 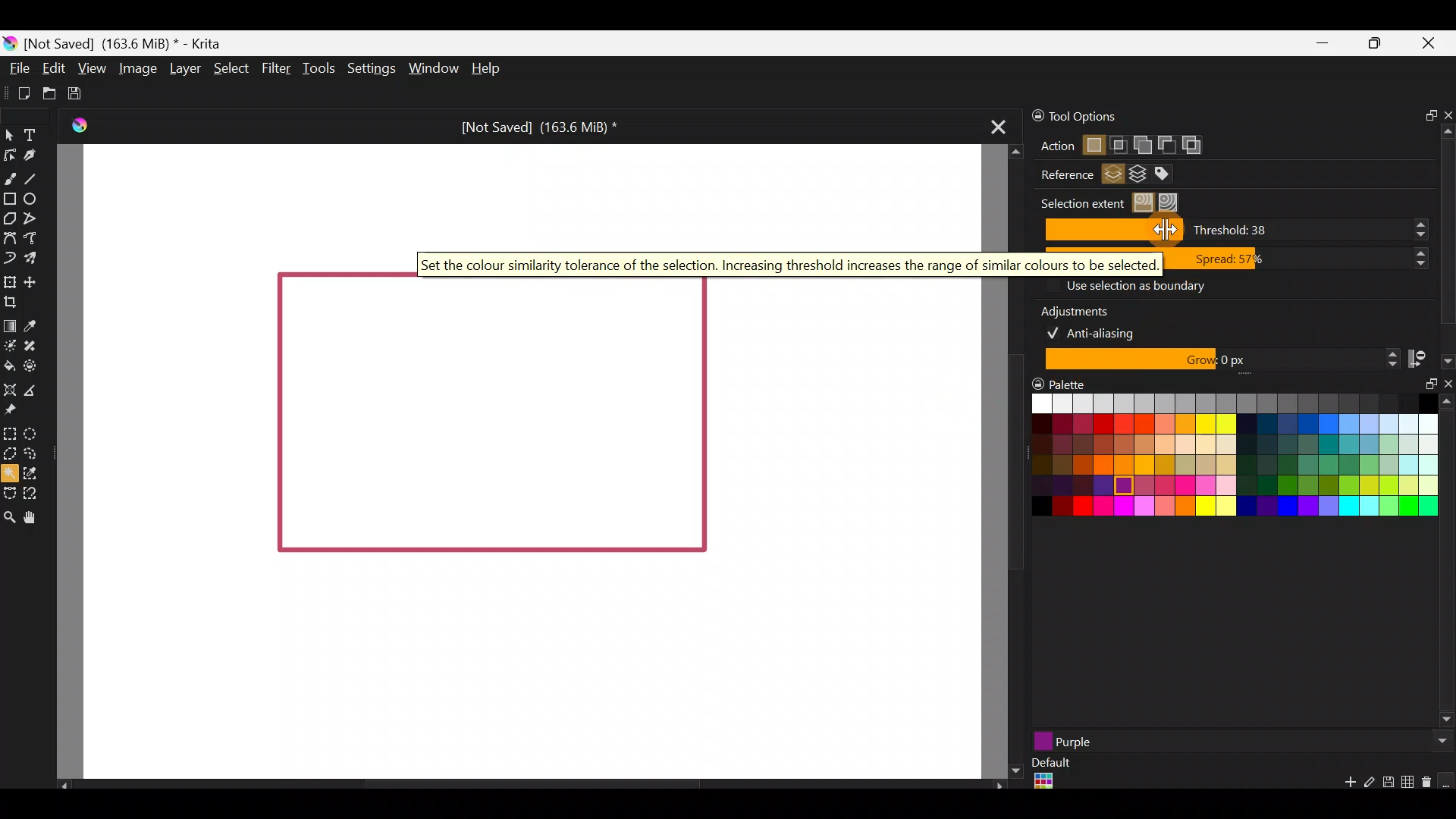 What do you see at coordinates (1447, 230) in the screenshot?
I see `Scroll  bar` at bounding box center [1447, 230].